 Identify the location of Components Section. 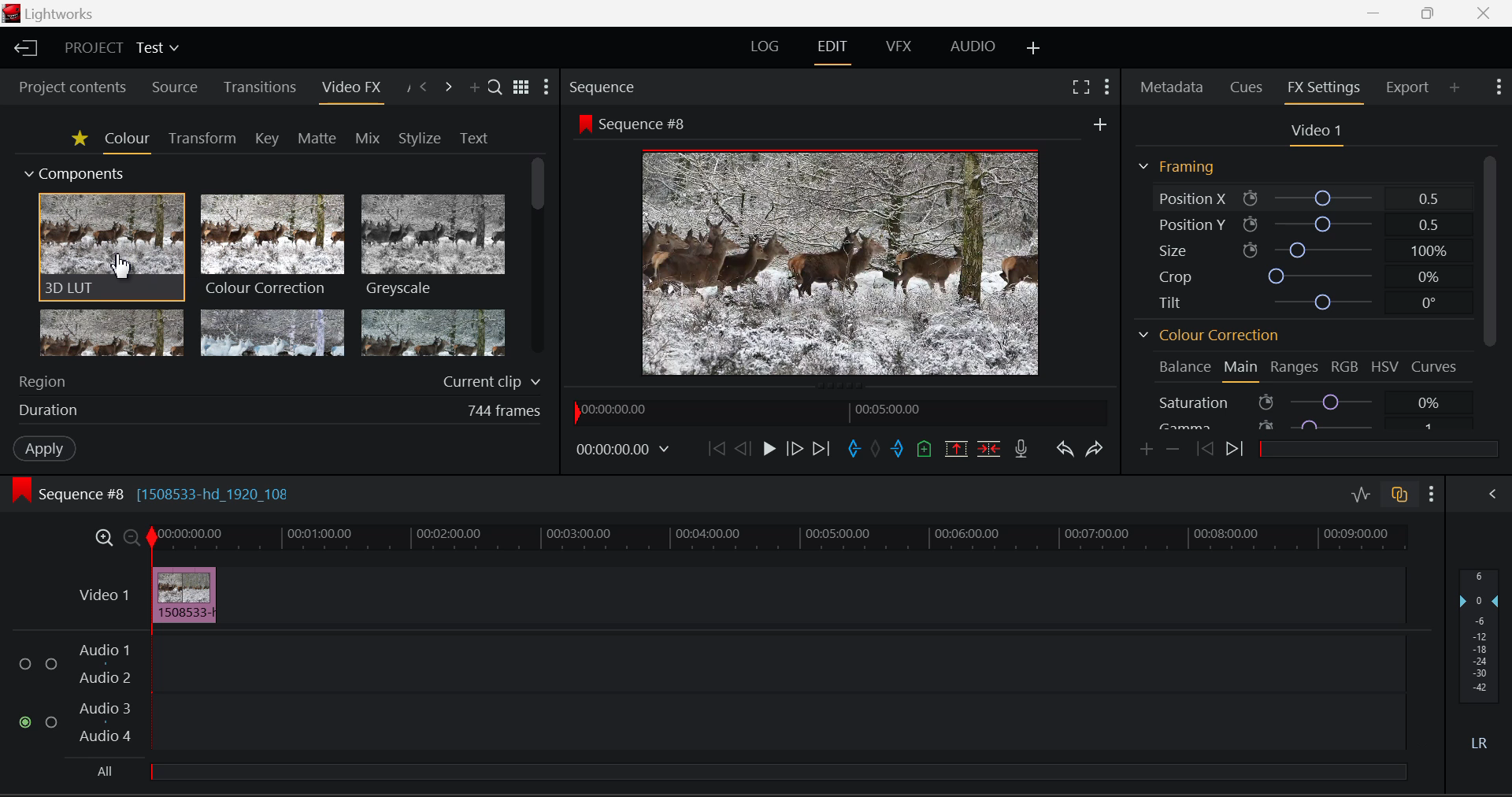
(76, 172).